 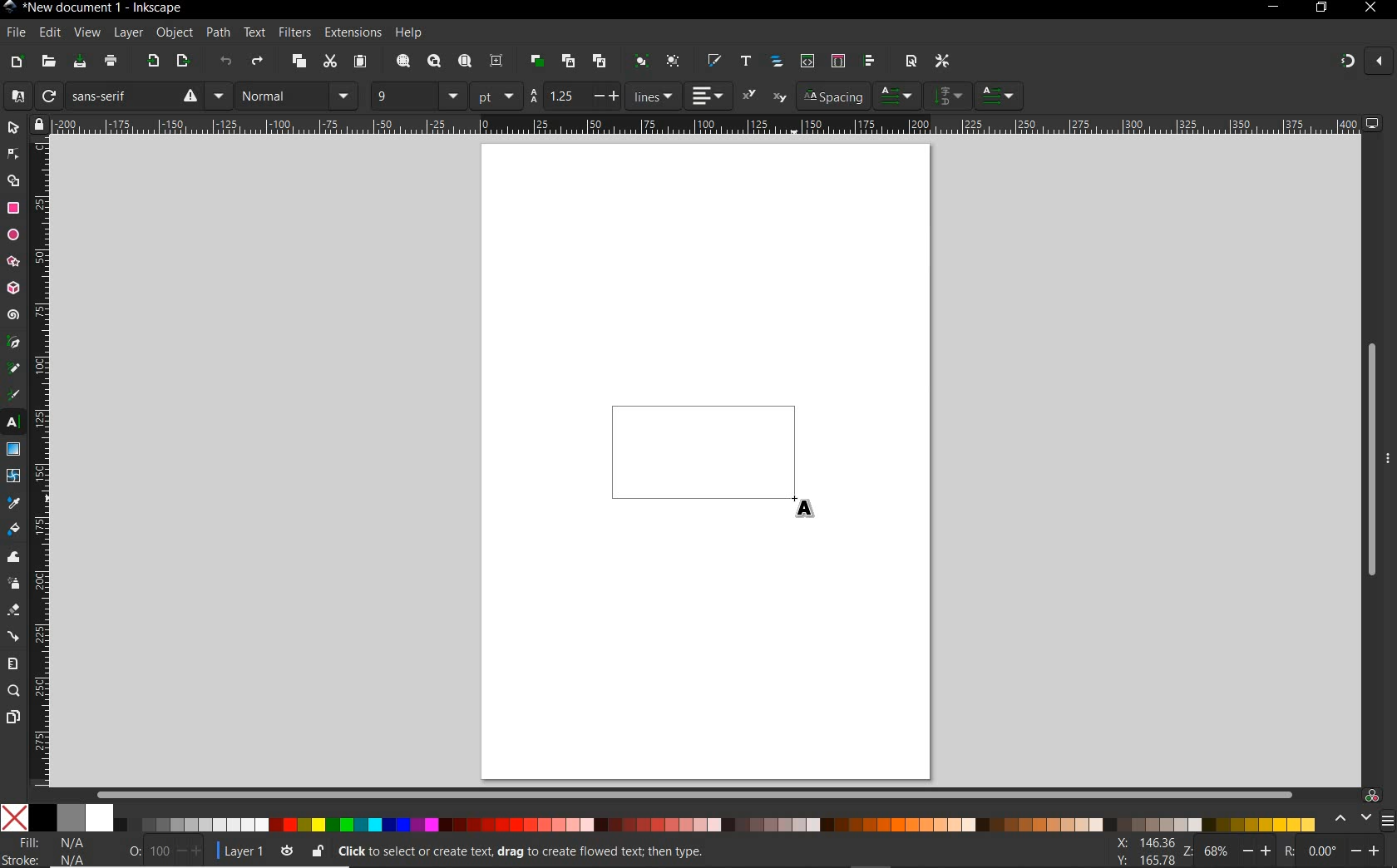 What do you see at coordinates (1259, 850) in the screenshot?
I see `increase/decrease` at bounding box center [1259, 850].